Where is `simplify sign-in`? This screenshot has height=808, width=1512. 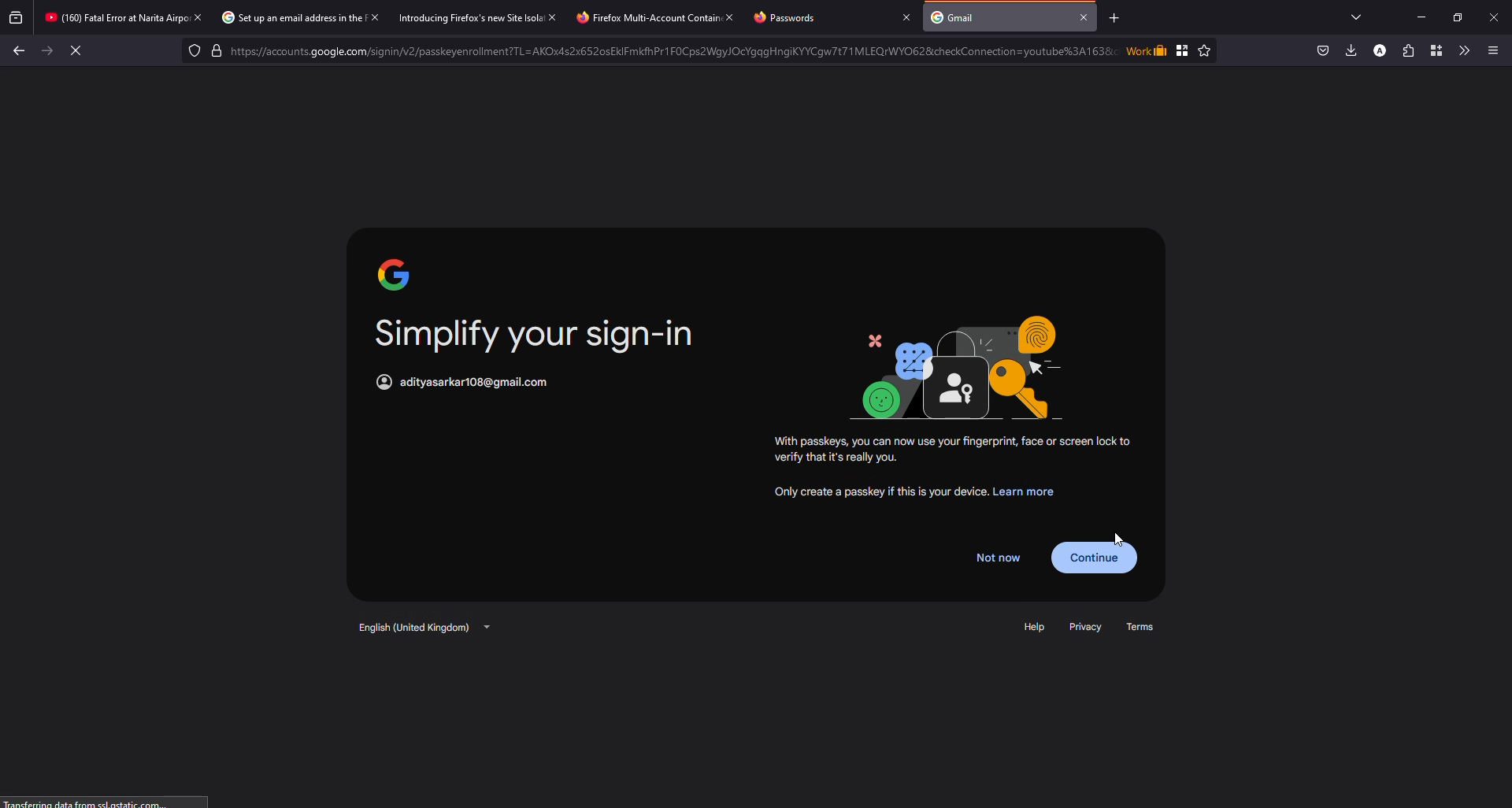 simplify sign-in is located at coordinates (539, 334).